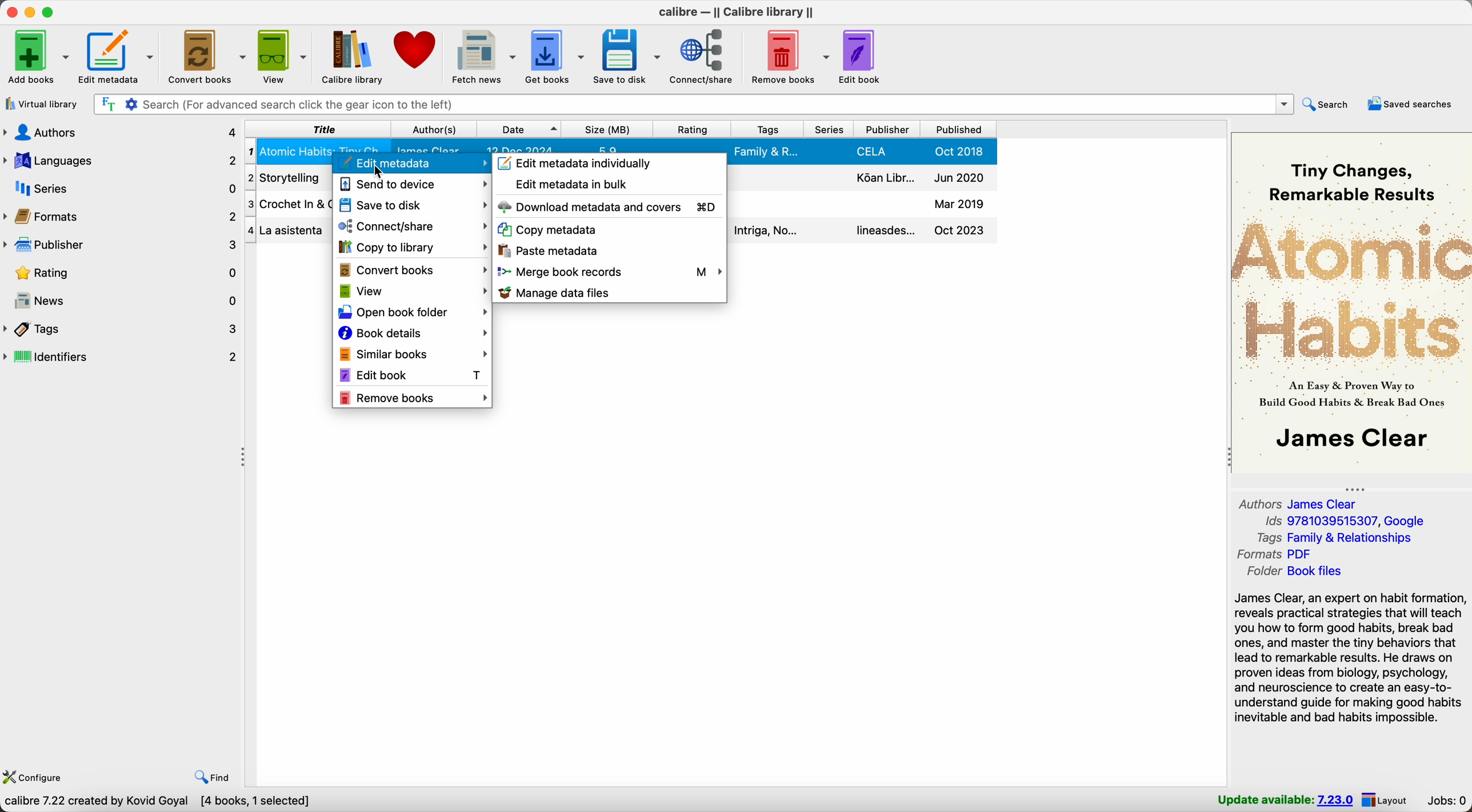  What do you see at coordinates (122, 301) in the screenshot?
I see `news` at bounding box center [122, 301].